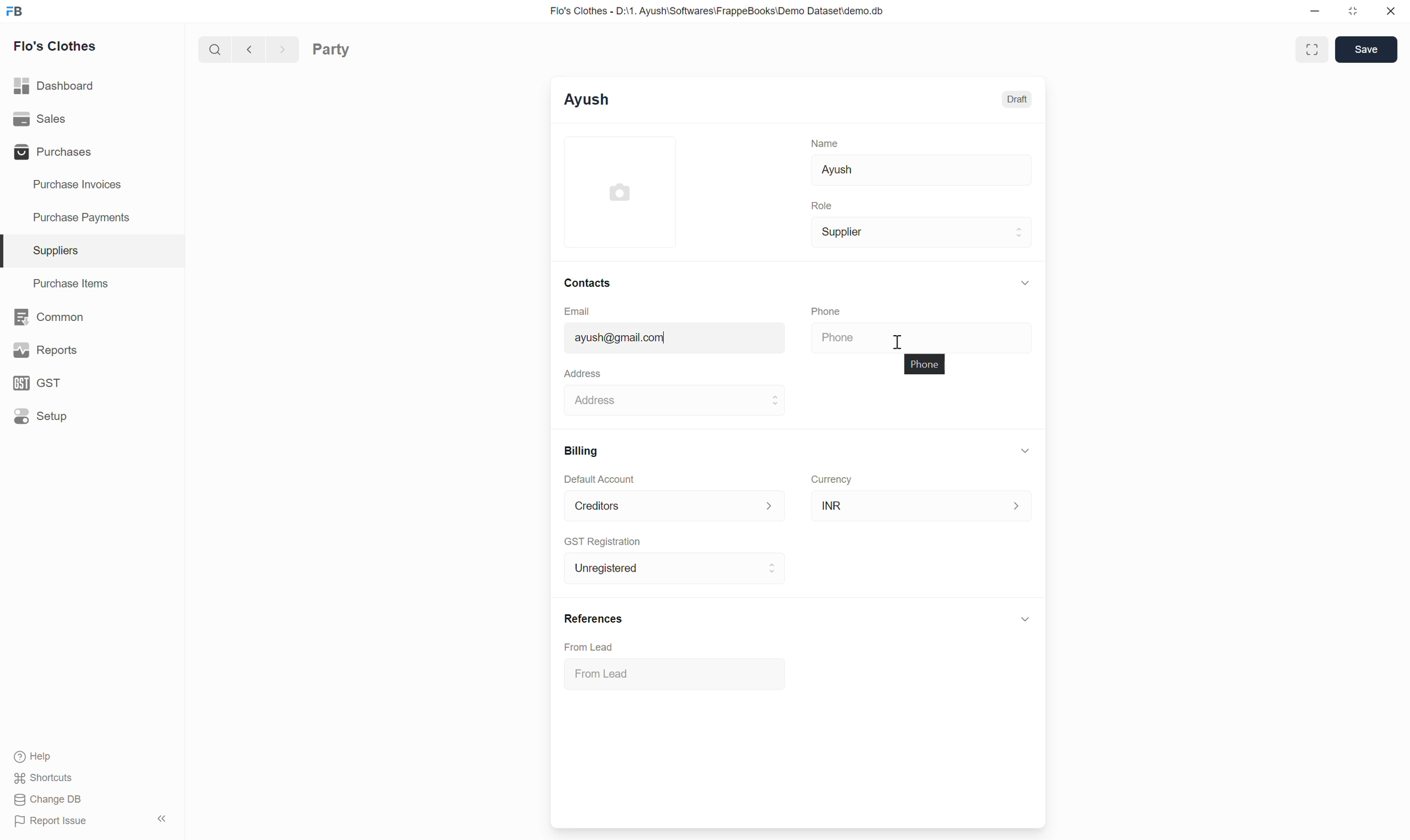 The image size is (1410, 840). What do you see at coordinates (92, 251) in the screenshot?
I see `Suppliers` at bounding box center [92, 251].